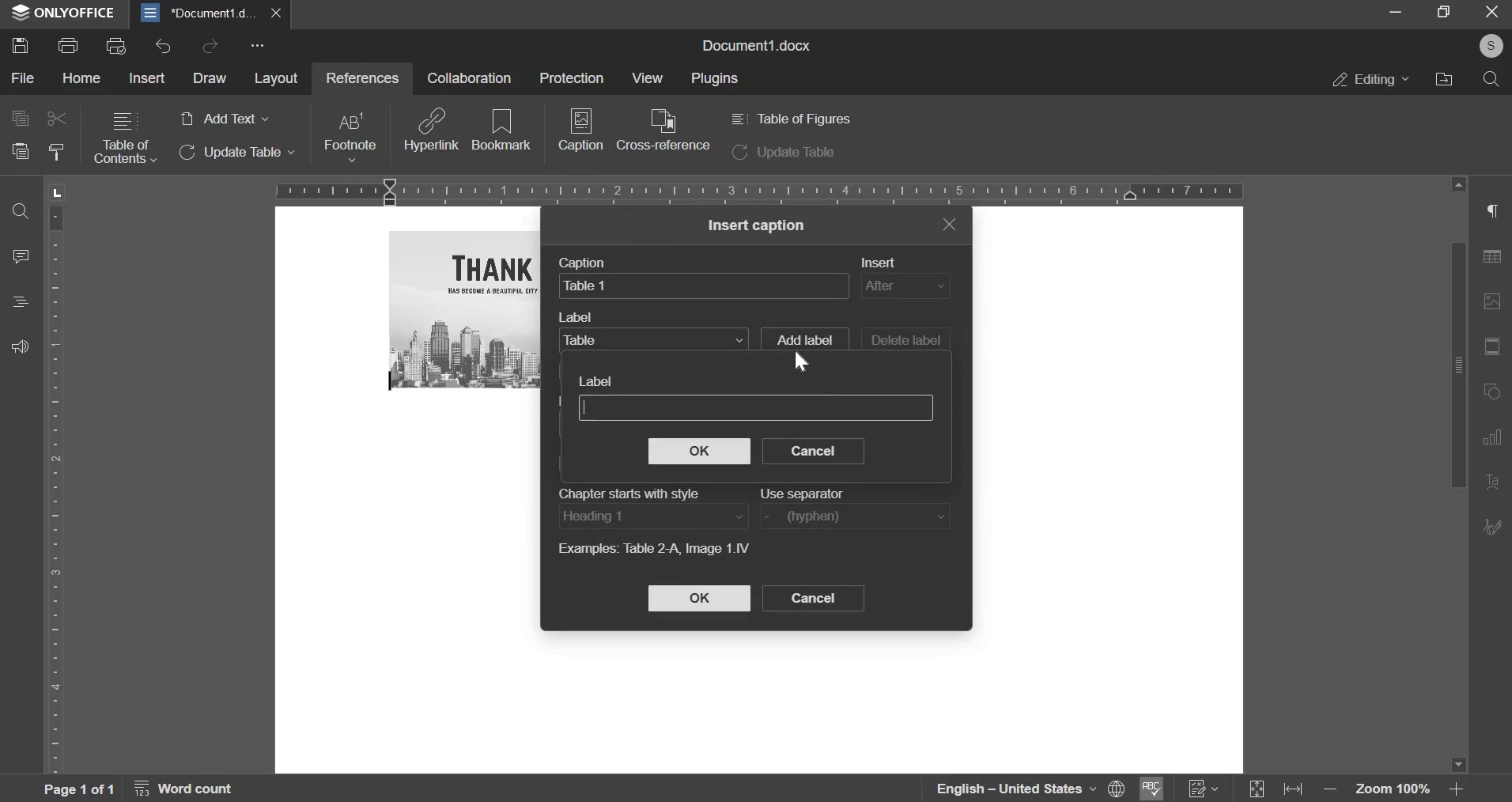 The width and height of the screenshot is (1512, 802). I want to click on home, so click(82, 78).